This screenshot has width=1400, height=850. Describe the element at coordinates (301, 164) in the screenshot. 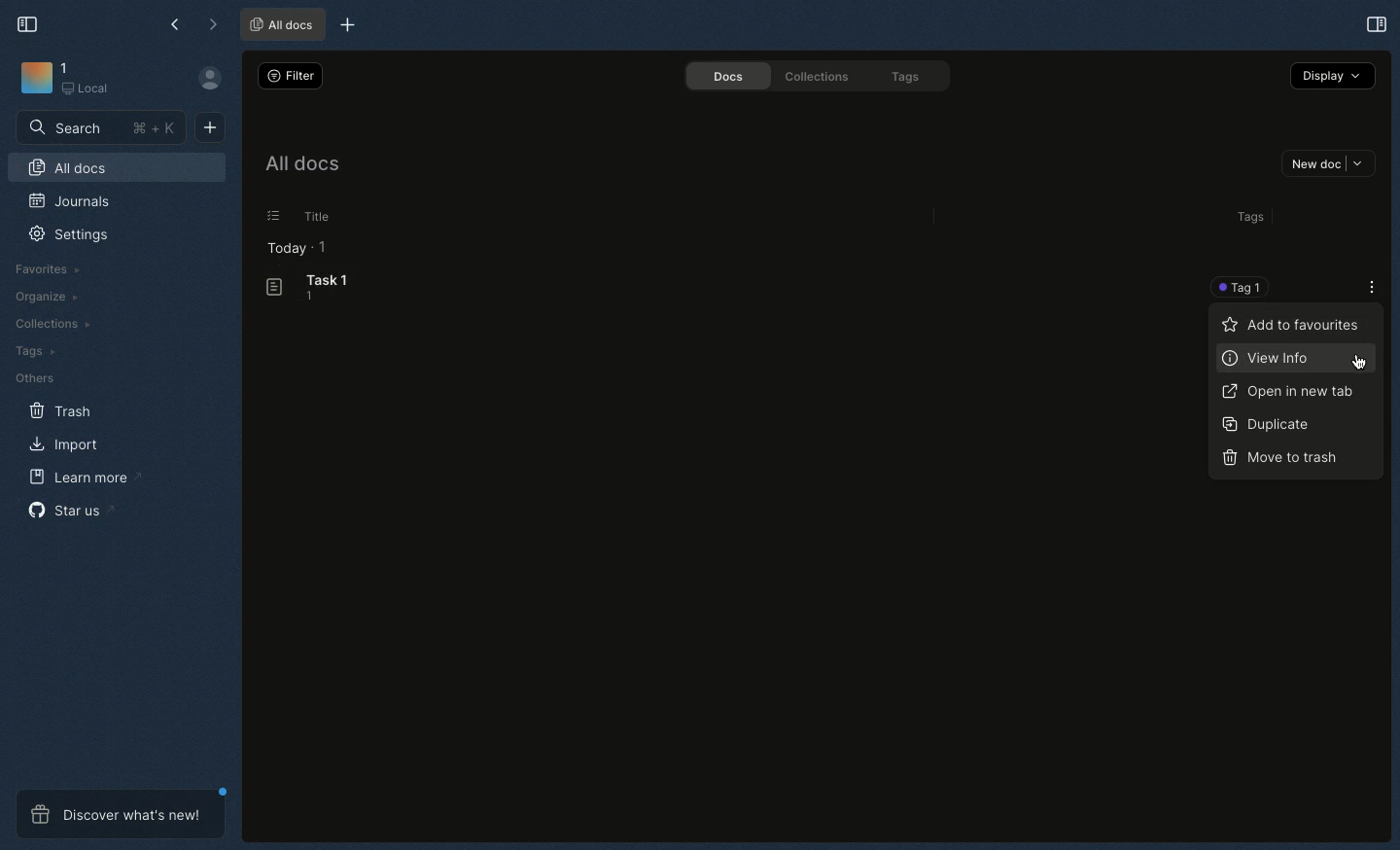

I see `All docs` at that location.